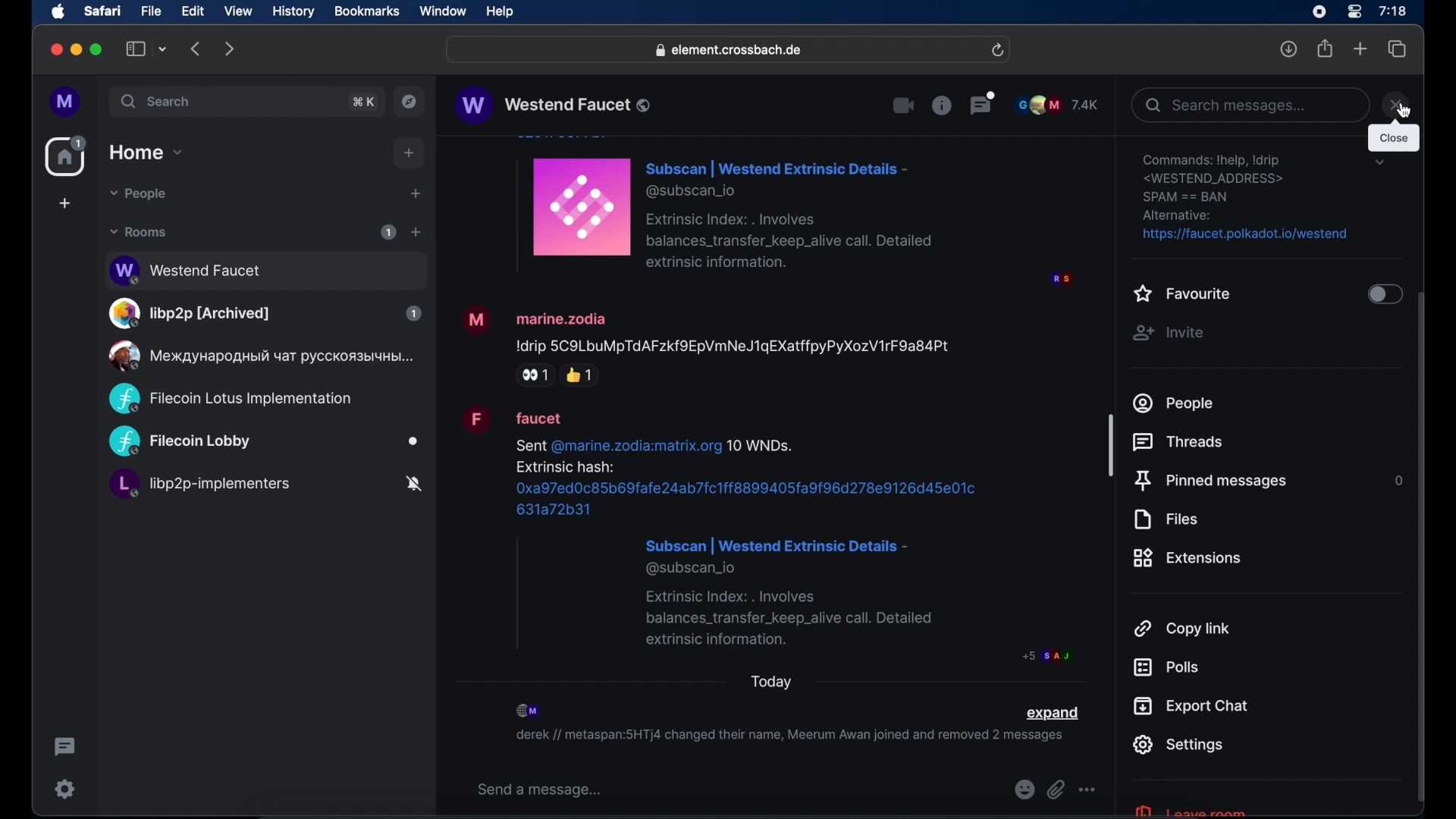  Describe the element at coordinates (366, 11) in the screenshot. I see `bookmarks` at that location.